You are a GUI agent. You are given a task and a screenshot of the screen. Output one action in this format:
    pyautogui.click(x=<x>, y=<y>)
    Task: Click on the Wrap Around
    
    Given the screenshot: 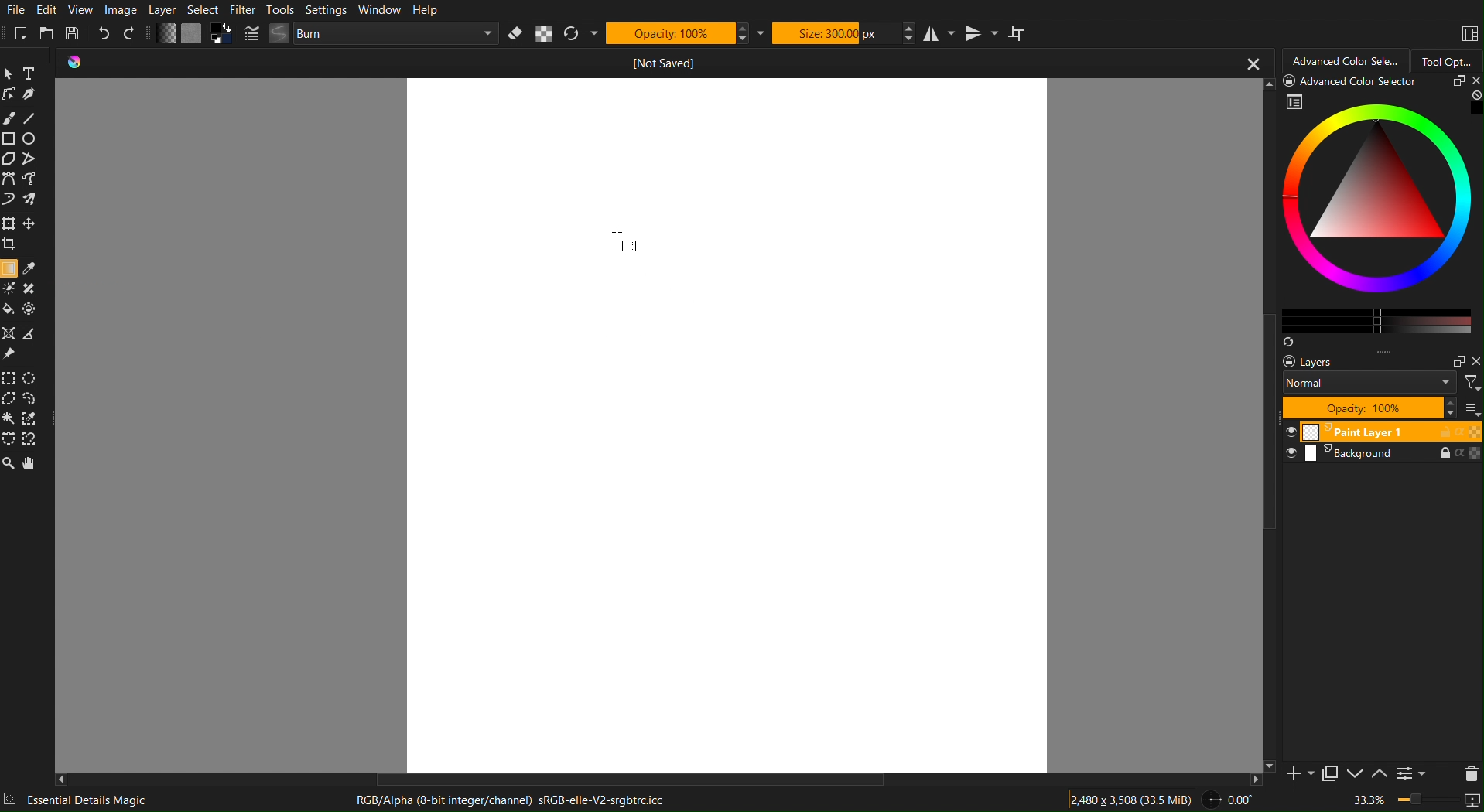 What is the action you would take?
    pyautogui.click(x=1020, y=32)
    